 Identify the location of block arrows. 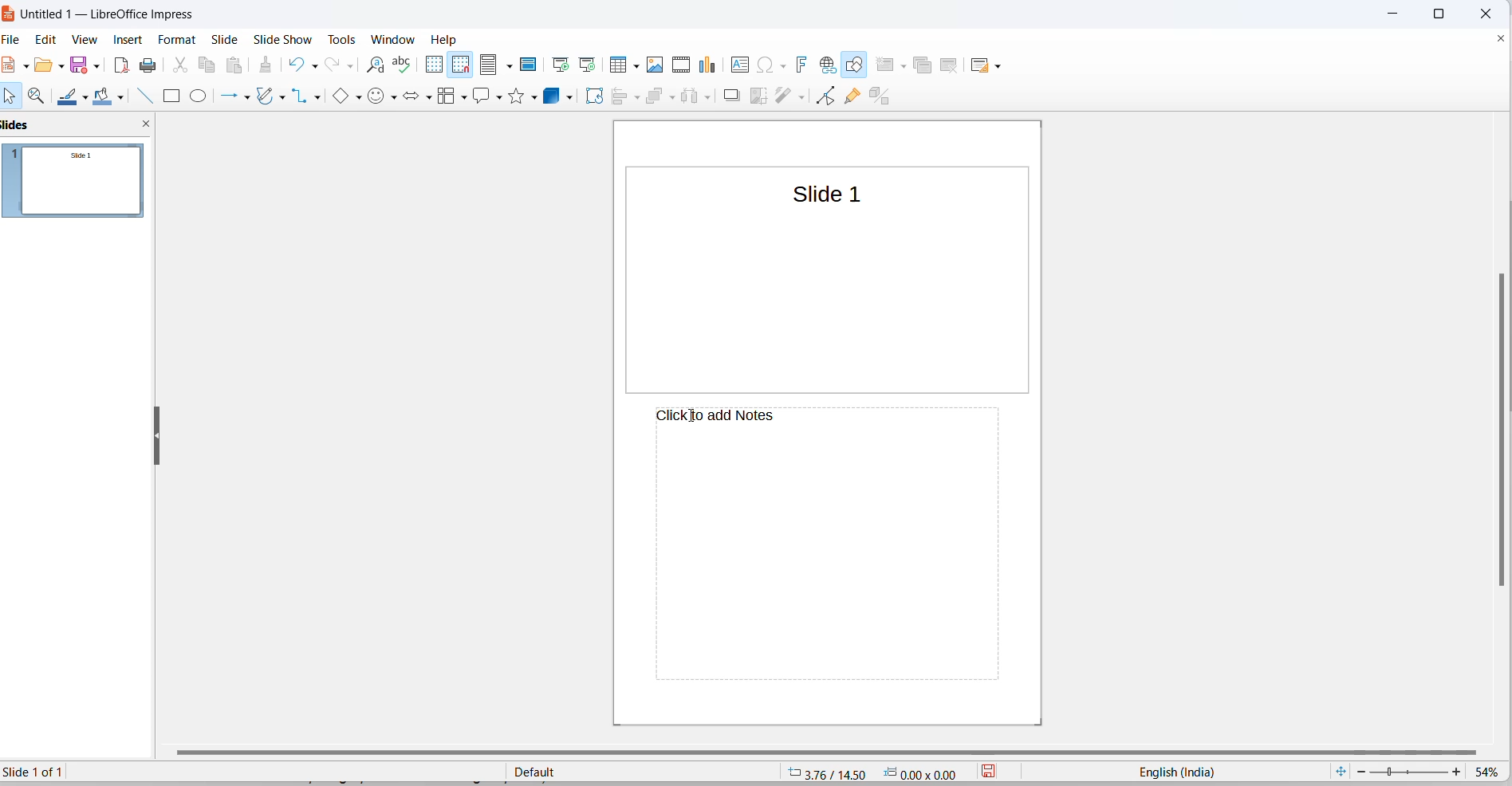
(413, 98).